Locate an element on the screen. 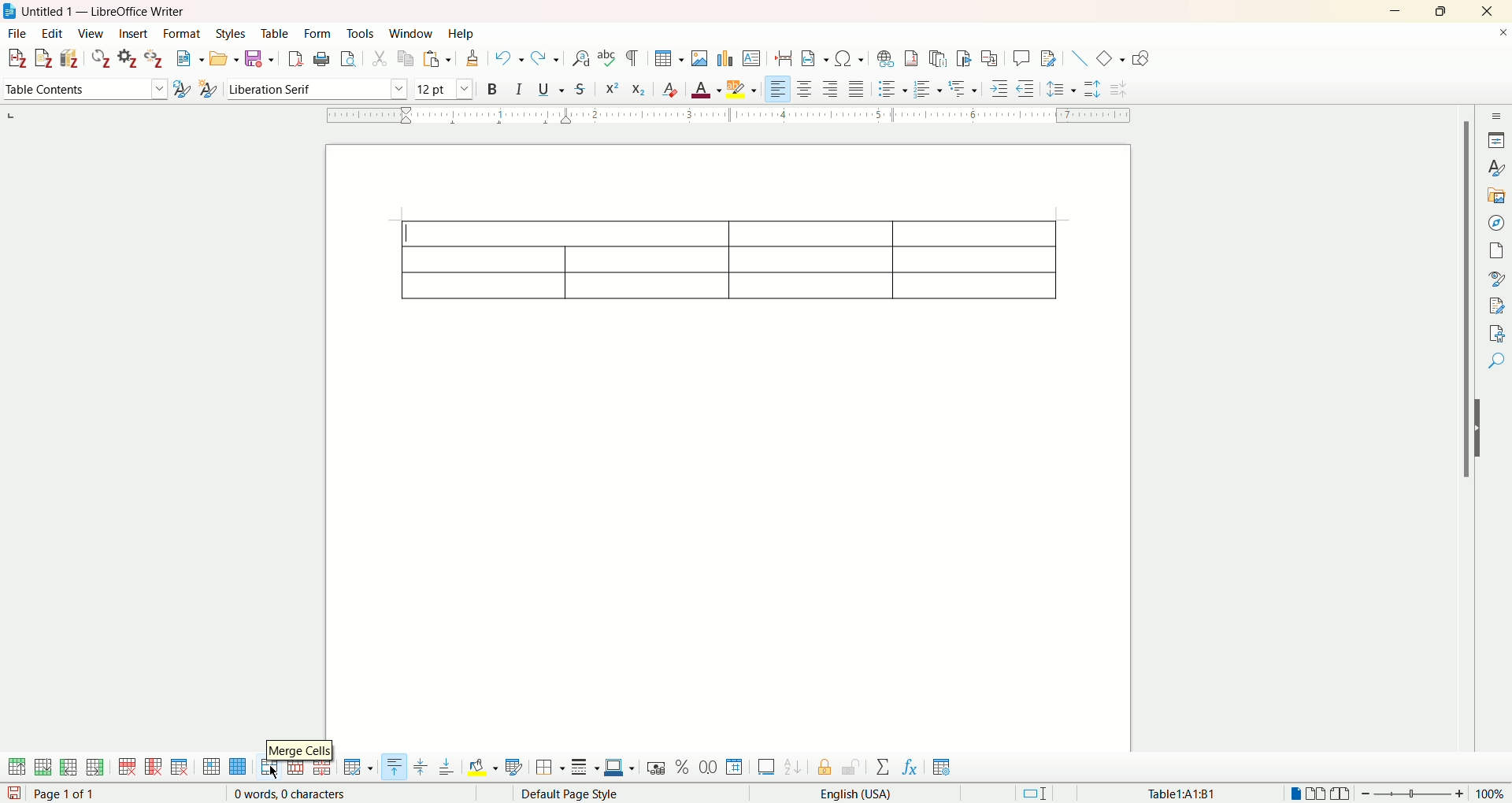  border style is located at coordinates (588, 769).